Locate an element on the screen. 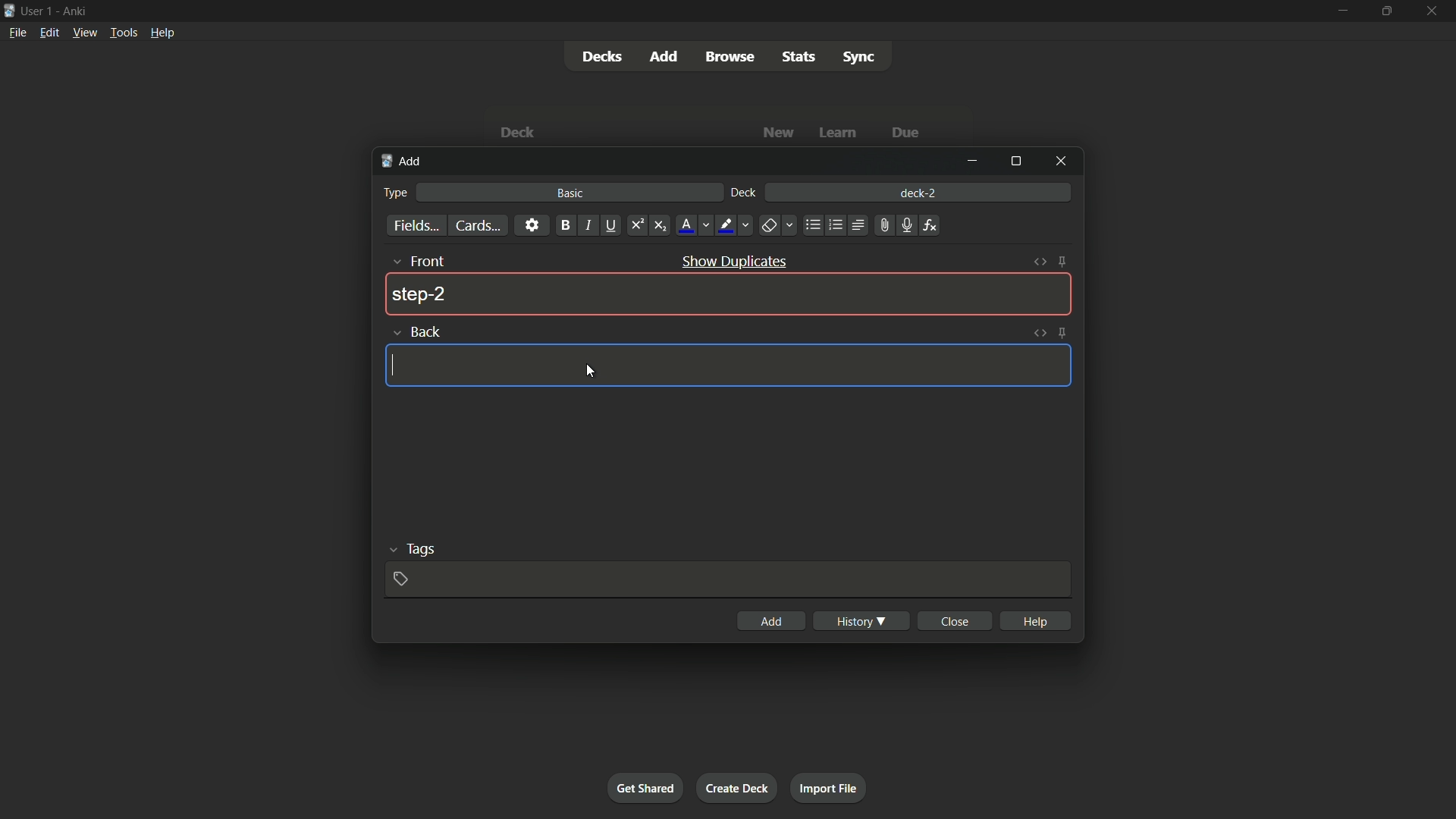 The height and width of the screenshot is (819, 1456). close is located at coordinates (954, 621).